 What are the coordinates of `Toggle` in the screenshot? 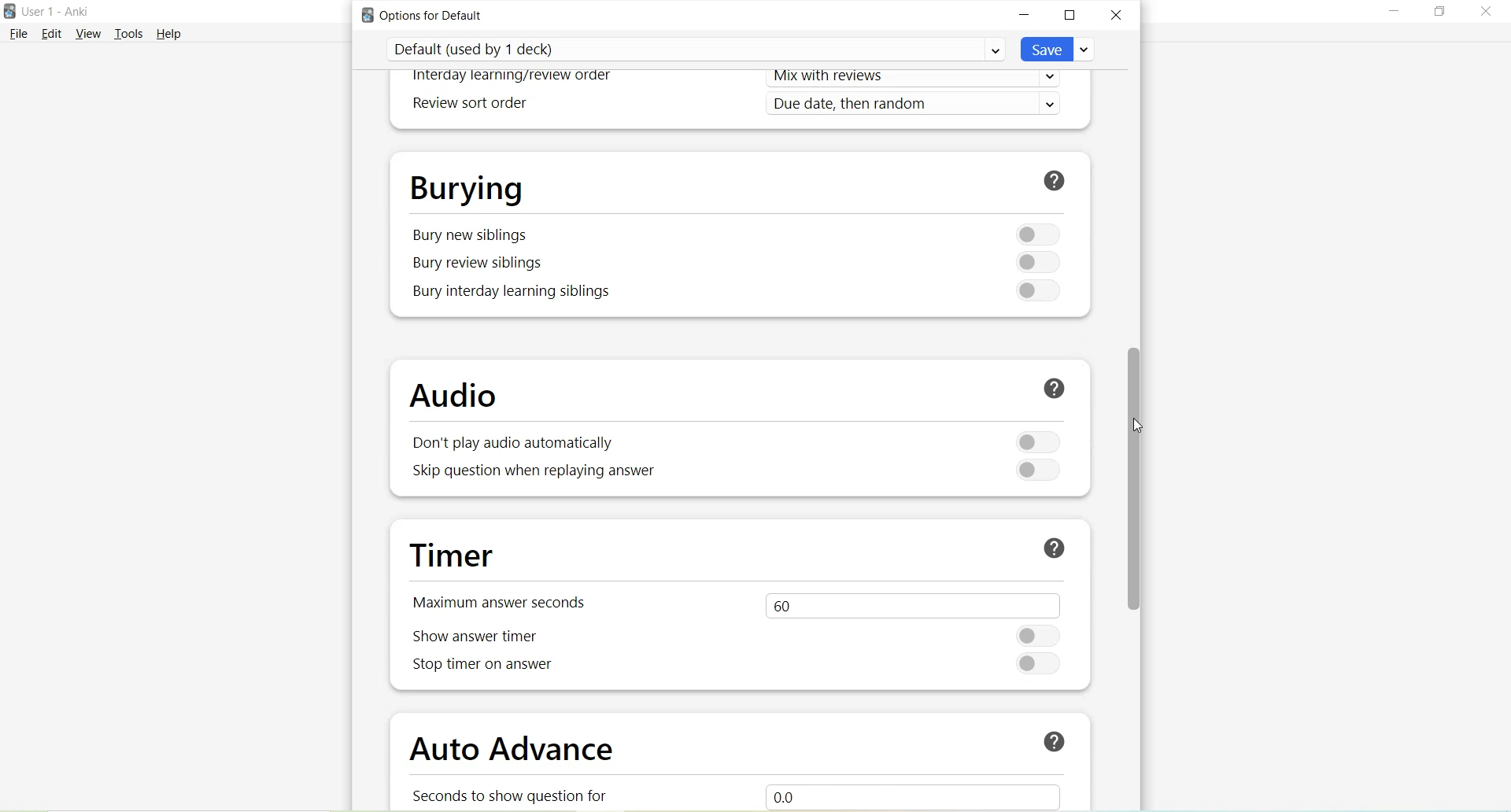 It's located at (1031, 290).